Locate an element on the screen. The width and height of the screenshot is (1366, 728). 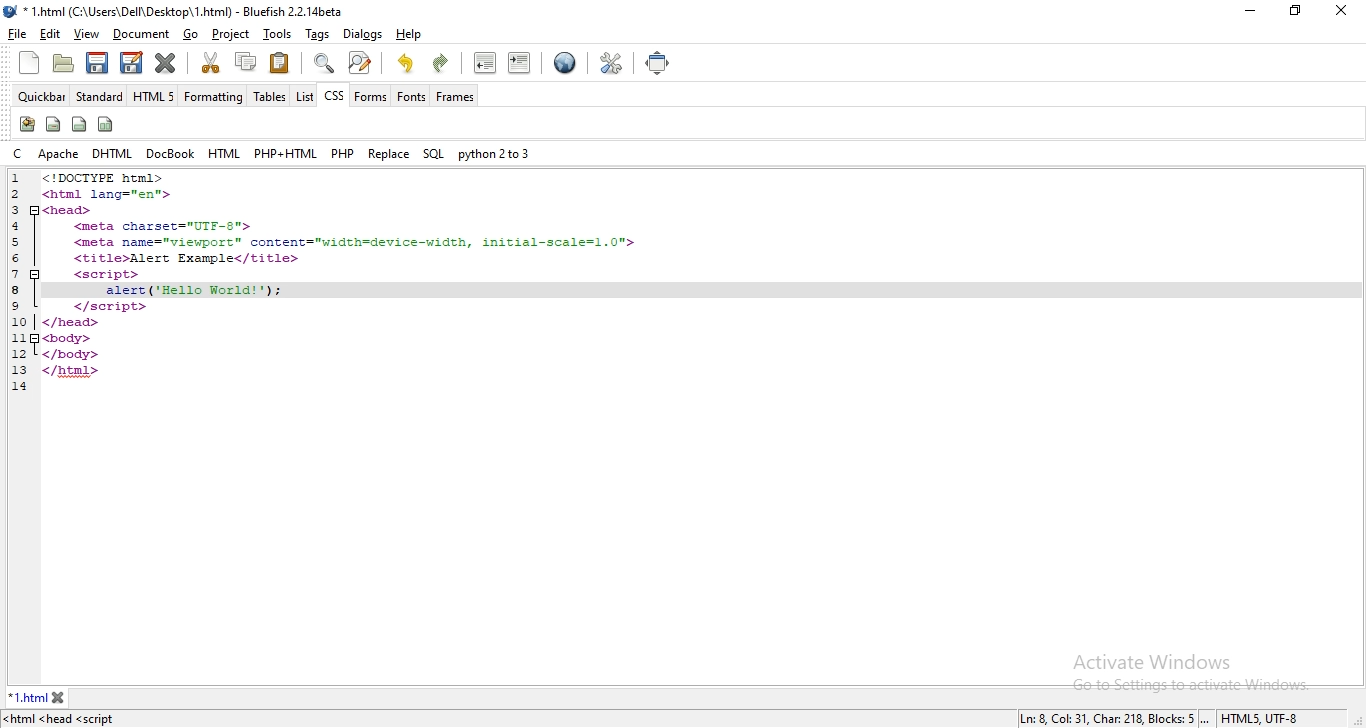
php is located at coordinates (341, 153).